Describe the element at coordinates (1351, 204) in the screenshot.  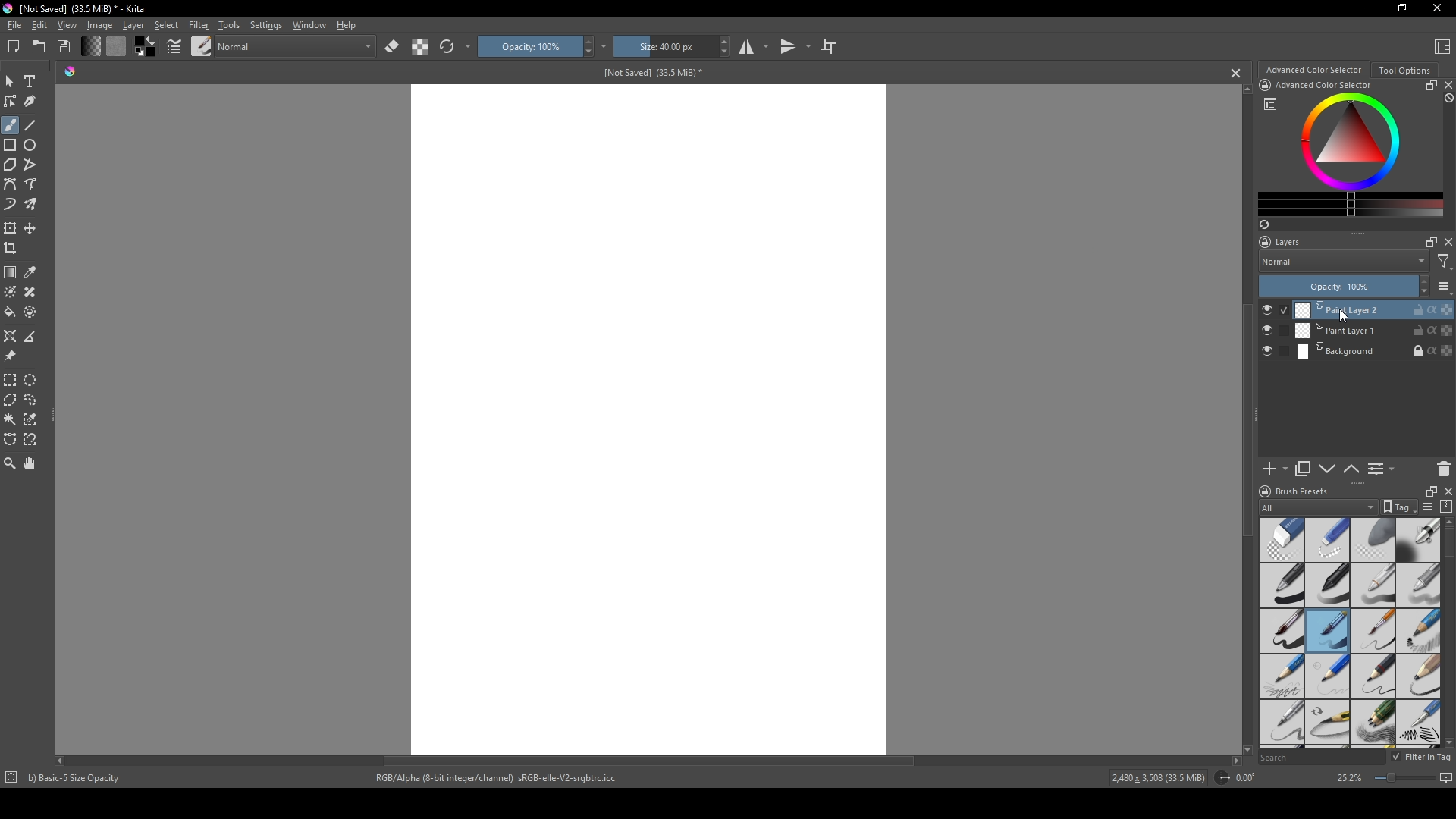
I see `change color` at that location.